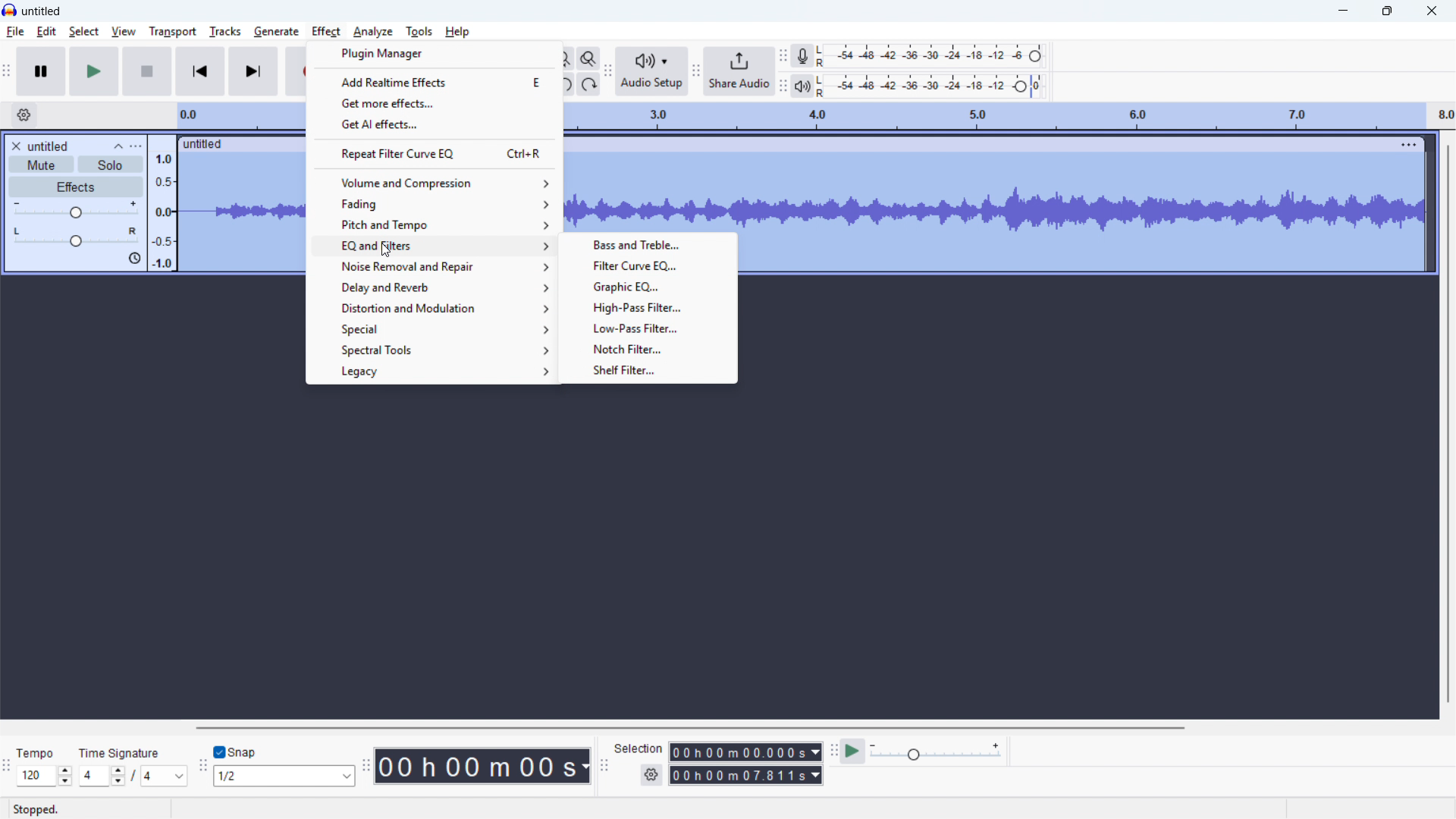 This screenshot has height=819, width=1456. I want to click on generate, so click(276, 31).